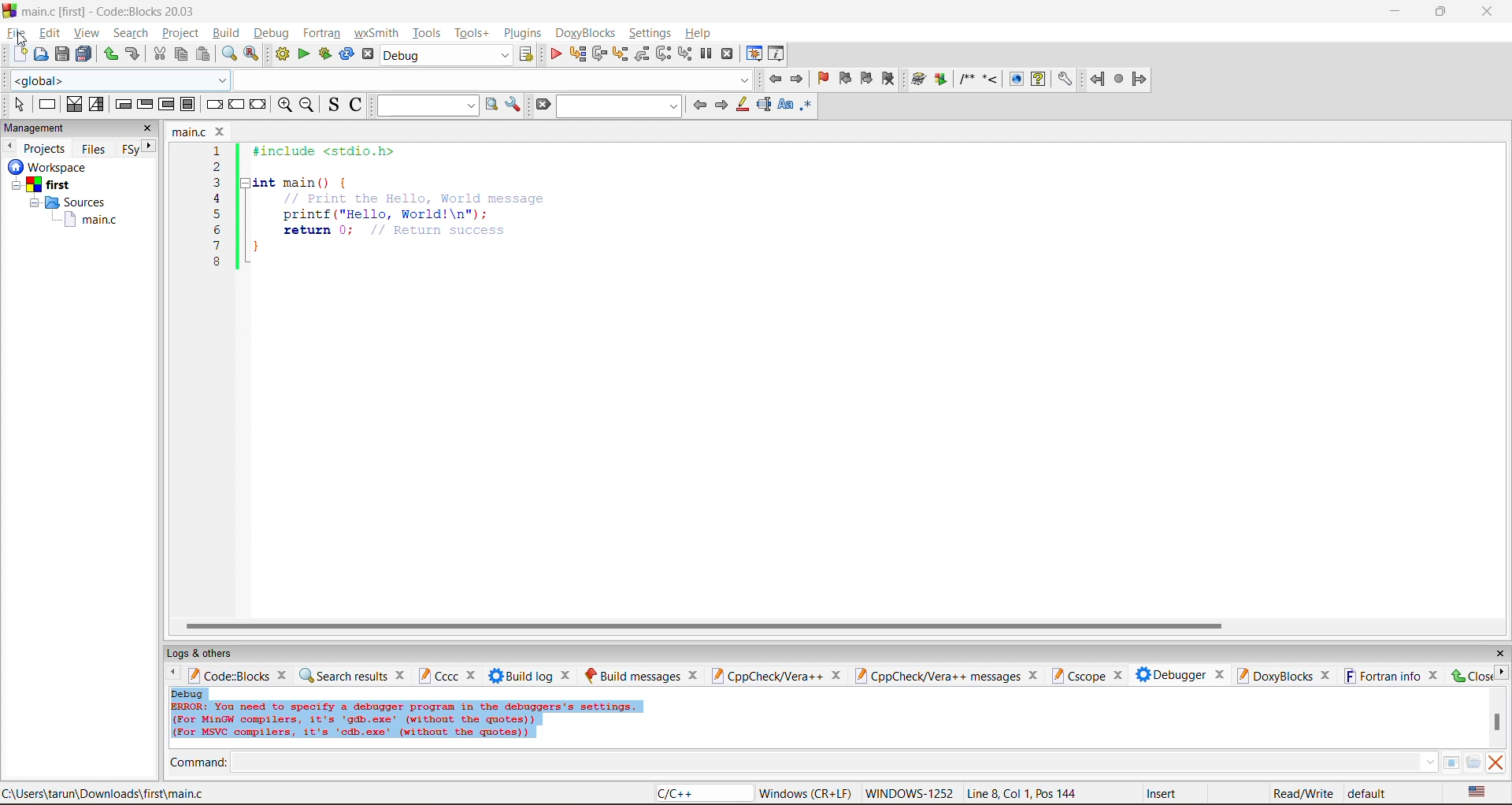 This screenshot has height=805, width=1512. Describe the element at coordinates (282, 54) in the screenshot. I see `build` at that location.